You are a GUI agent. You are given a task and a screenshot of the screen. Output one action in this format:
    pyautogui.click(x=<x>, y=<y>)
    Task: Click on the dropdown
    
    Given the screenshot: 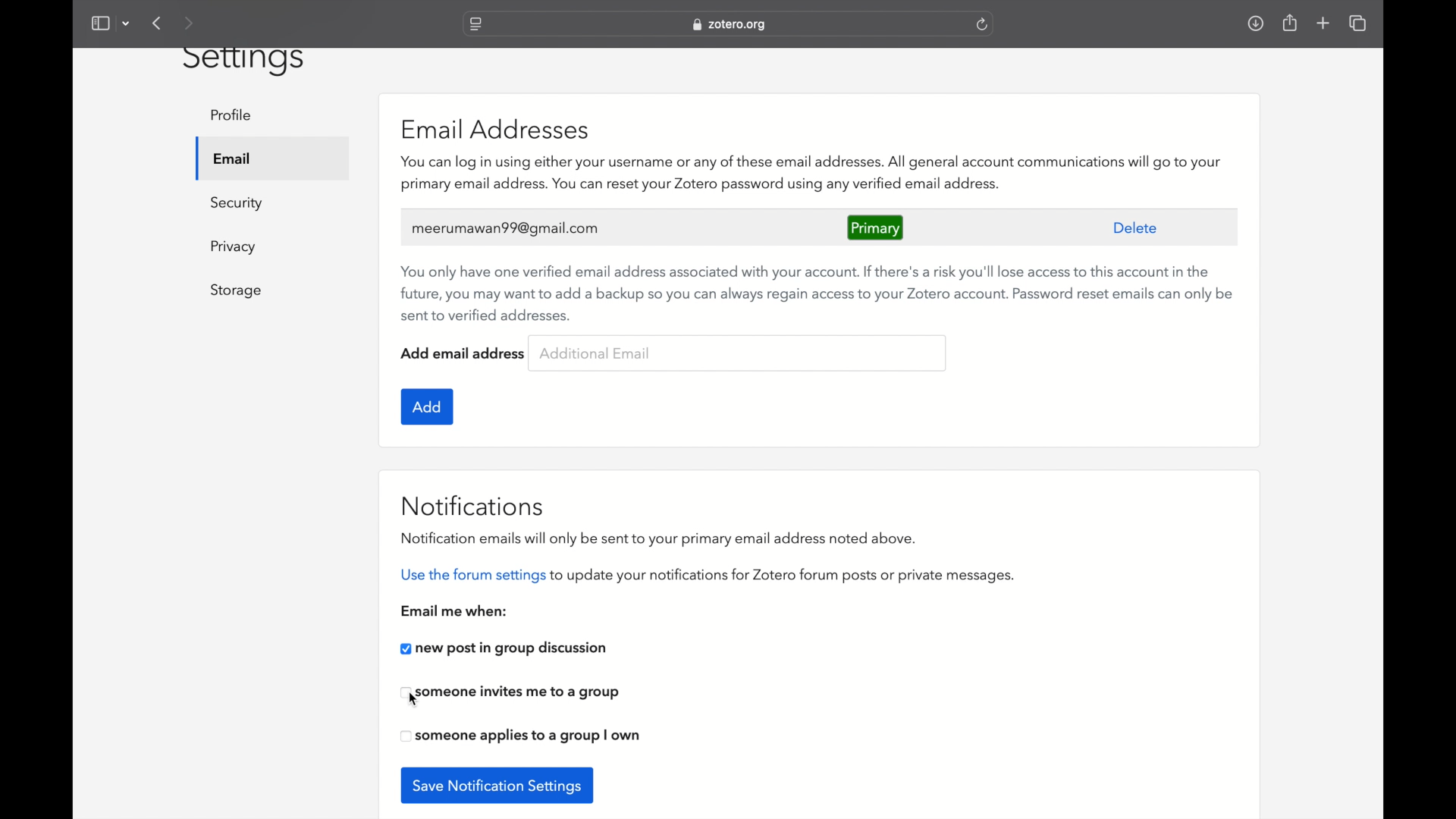 What is the action you would take?
    pyautogui.click(x=126, y=25)
    